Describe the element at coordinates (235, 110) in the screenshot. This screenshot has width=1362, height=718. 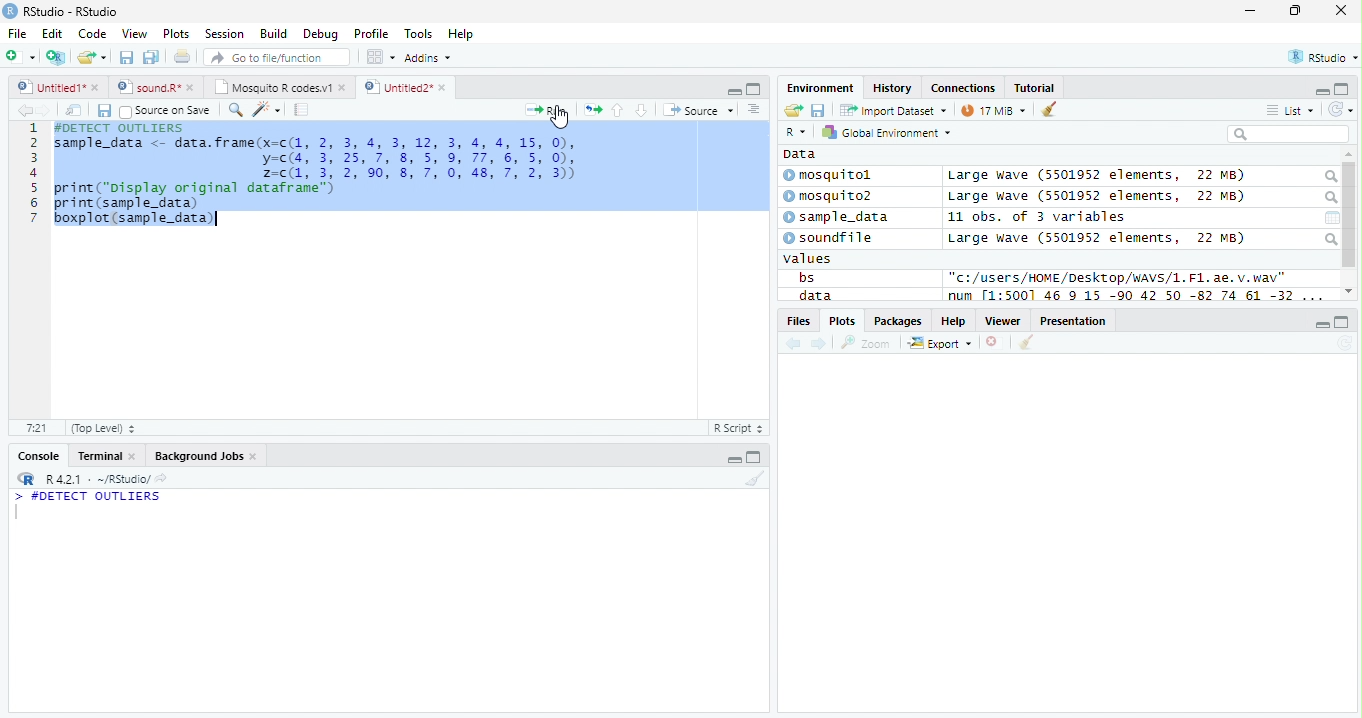
I see `Find` at that location.